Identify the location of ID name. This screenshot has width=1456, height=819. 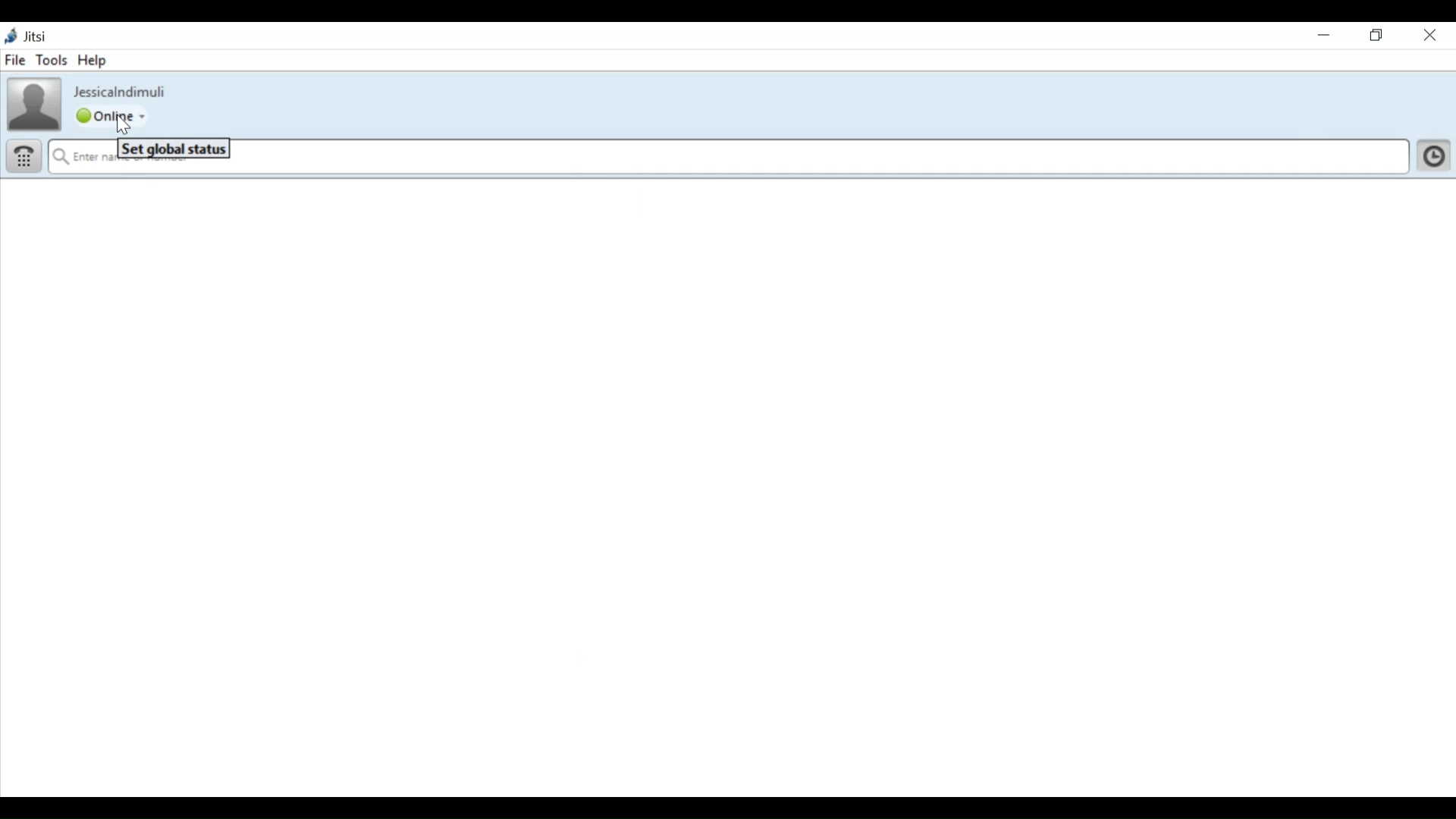
(118, 91).